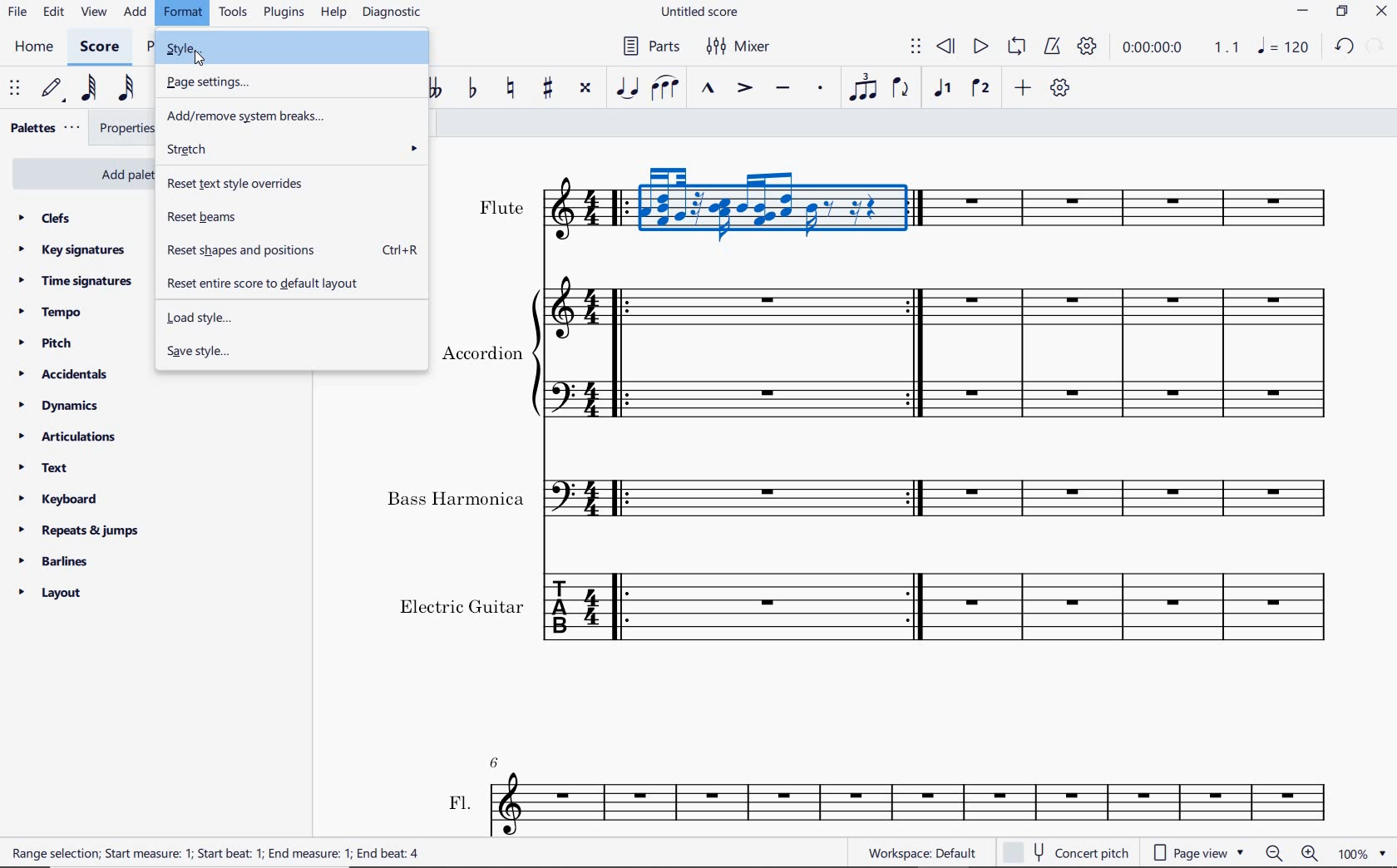 The height and width of the screenshot is (868, 1397). What do you see at coordinates (1376, 47) in the screenshot?
I see `REDO` at bounding box center [1376, 47].